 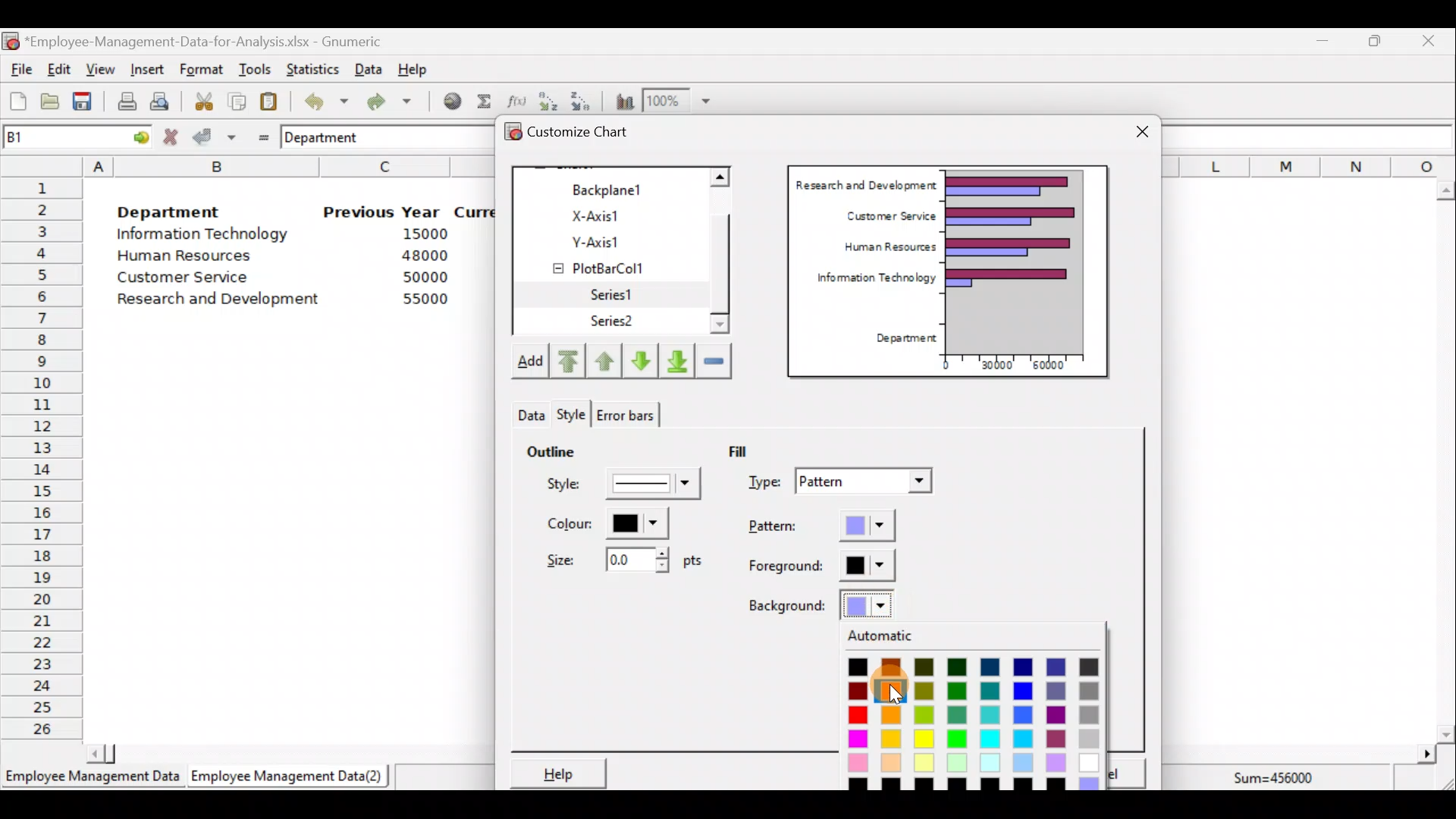 What do you see at coordinates (99, 70) in the screenshot?
I see `View` at bounding box center [99, 70].